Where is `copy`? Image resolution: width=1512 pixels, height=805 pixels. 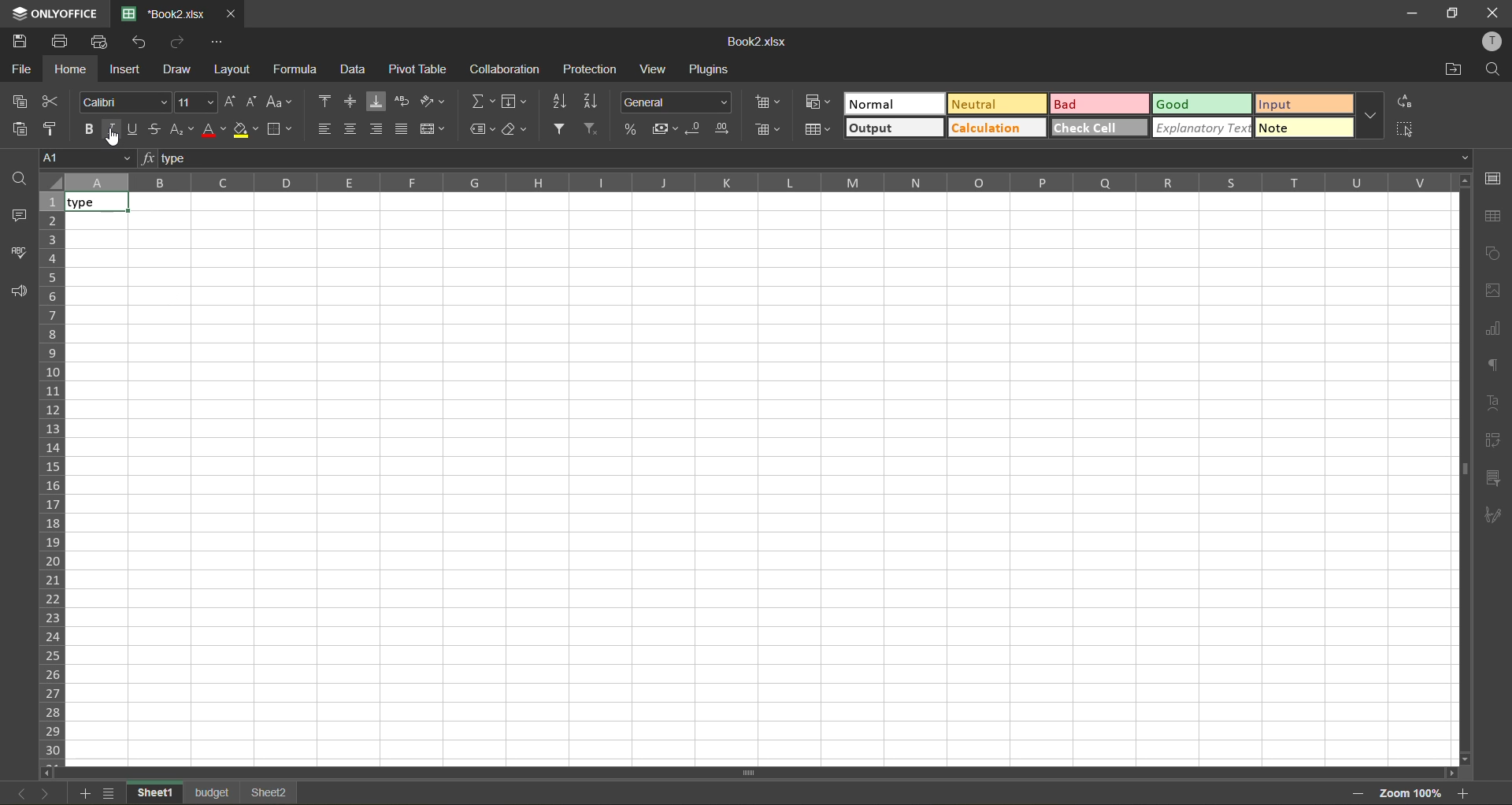
copy is located at coordinates (21, 99).